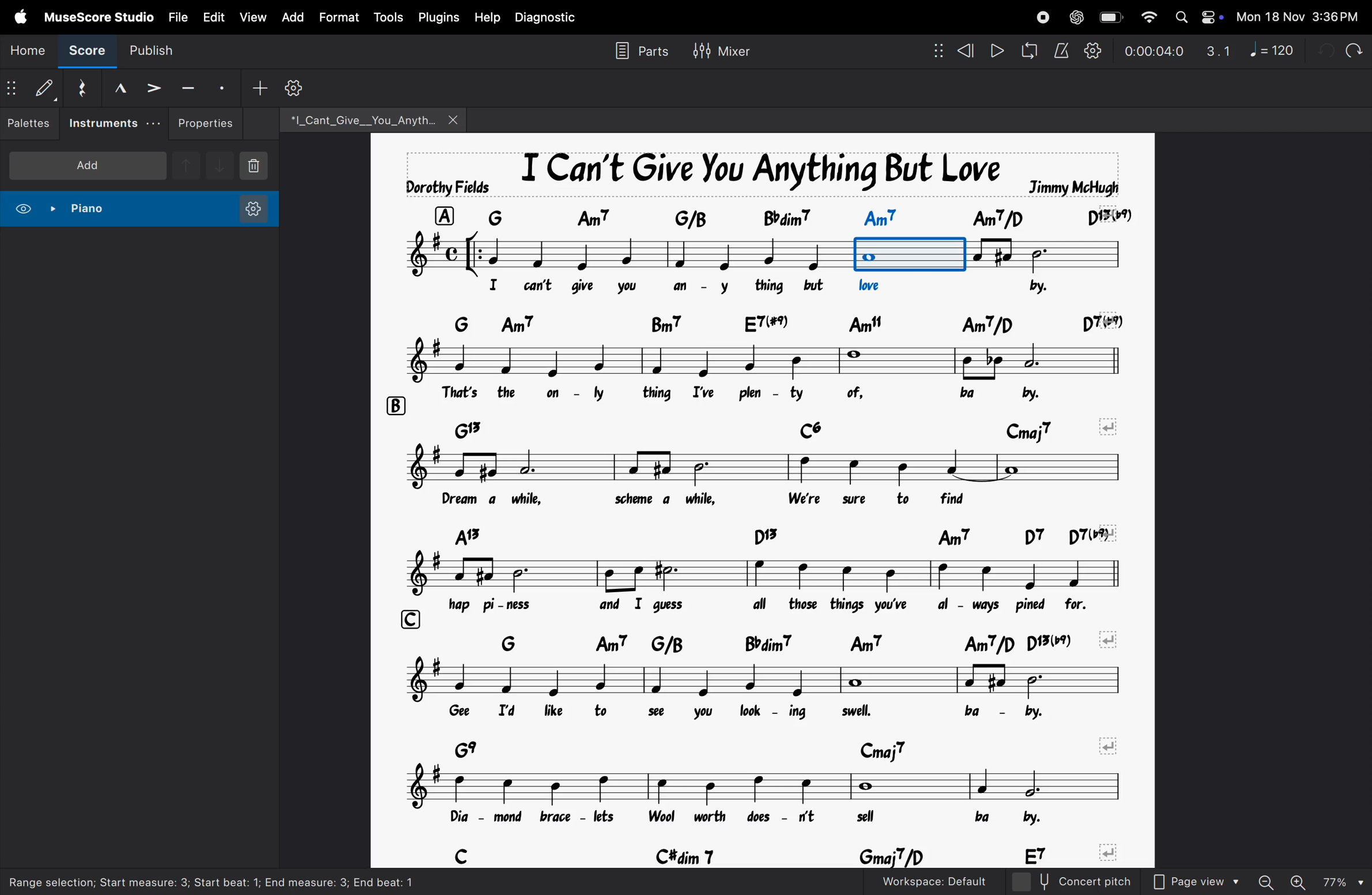 The width and height of the screenshot is (1372, 895). Describe the element at coordinates (803, 644) in the screenshot. I see `chord symbols` at that location.